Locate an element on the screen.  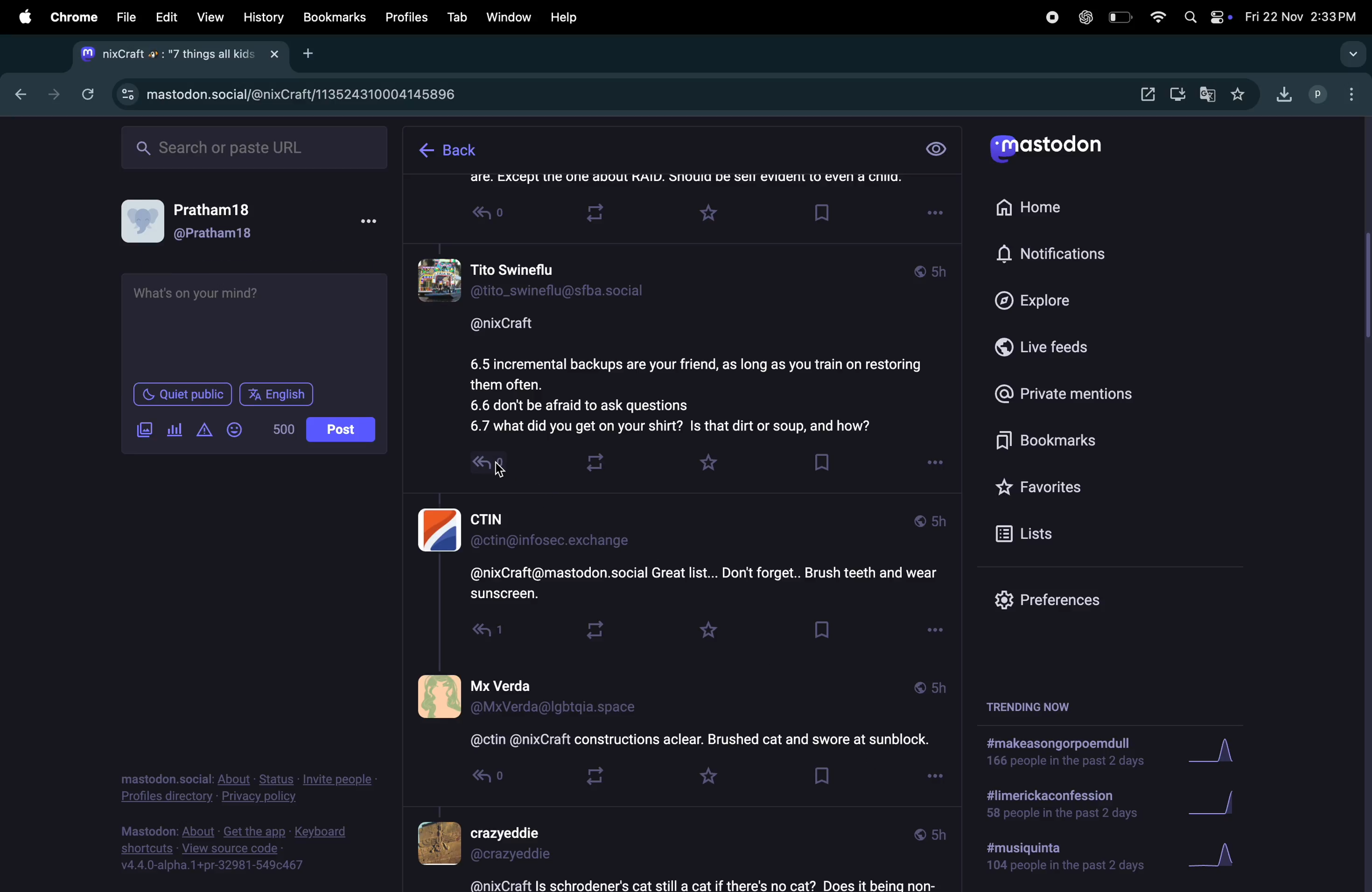
Options is located at coordinates (936, 214).